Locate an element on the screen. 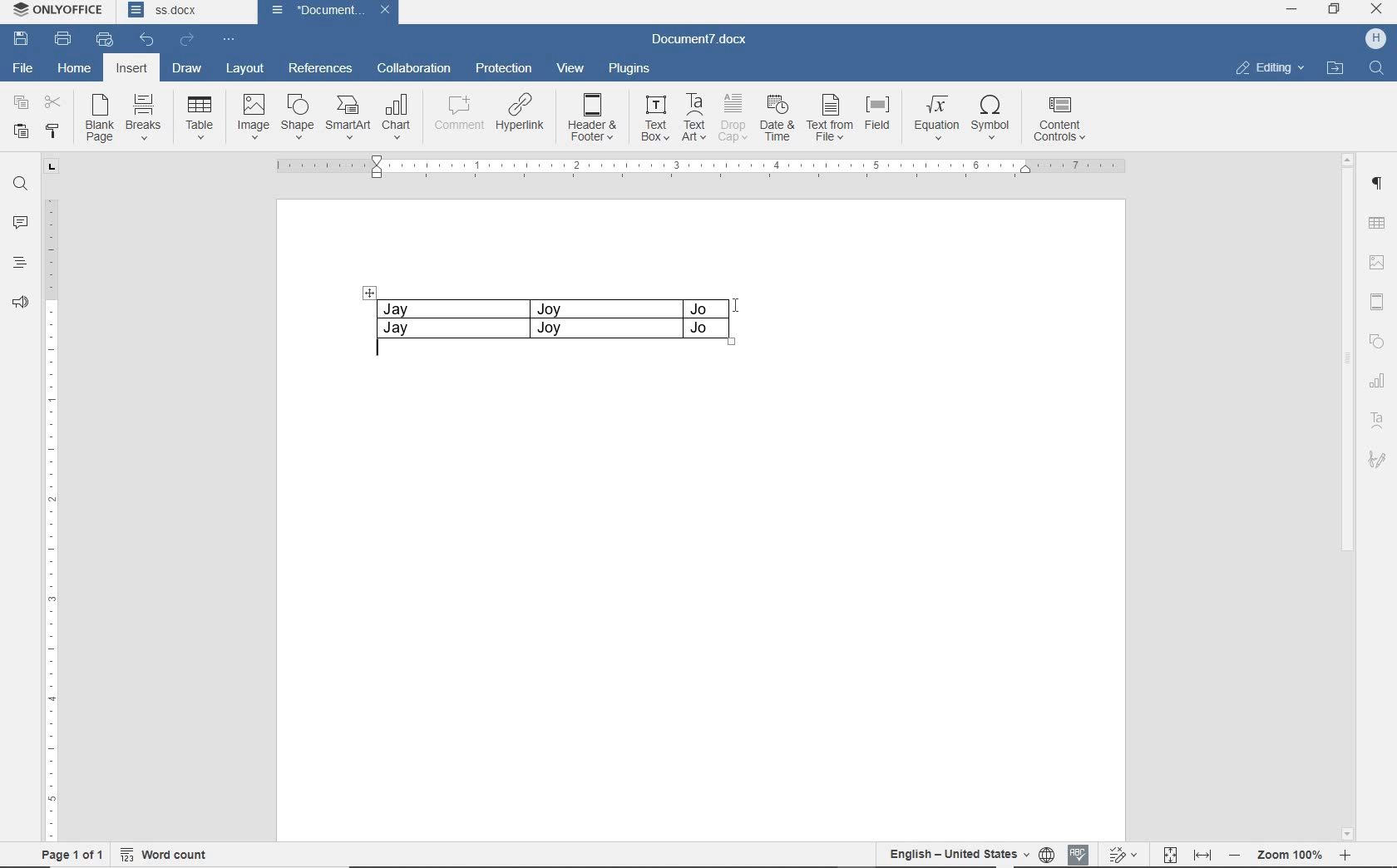  close is located at coordinates (388, 11).